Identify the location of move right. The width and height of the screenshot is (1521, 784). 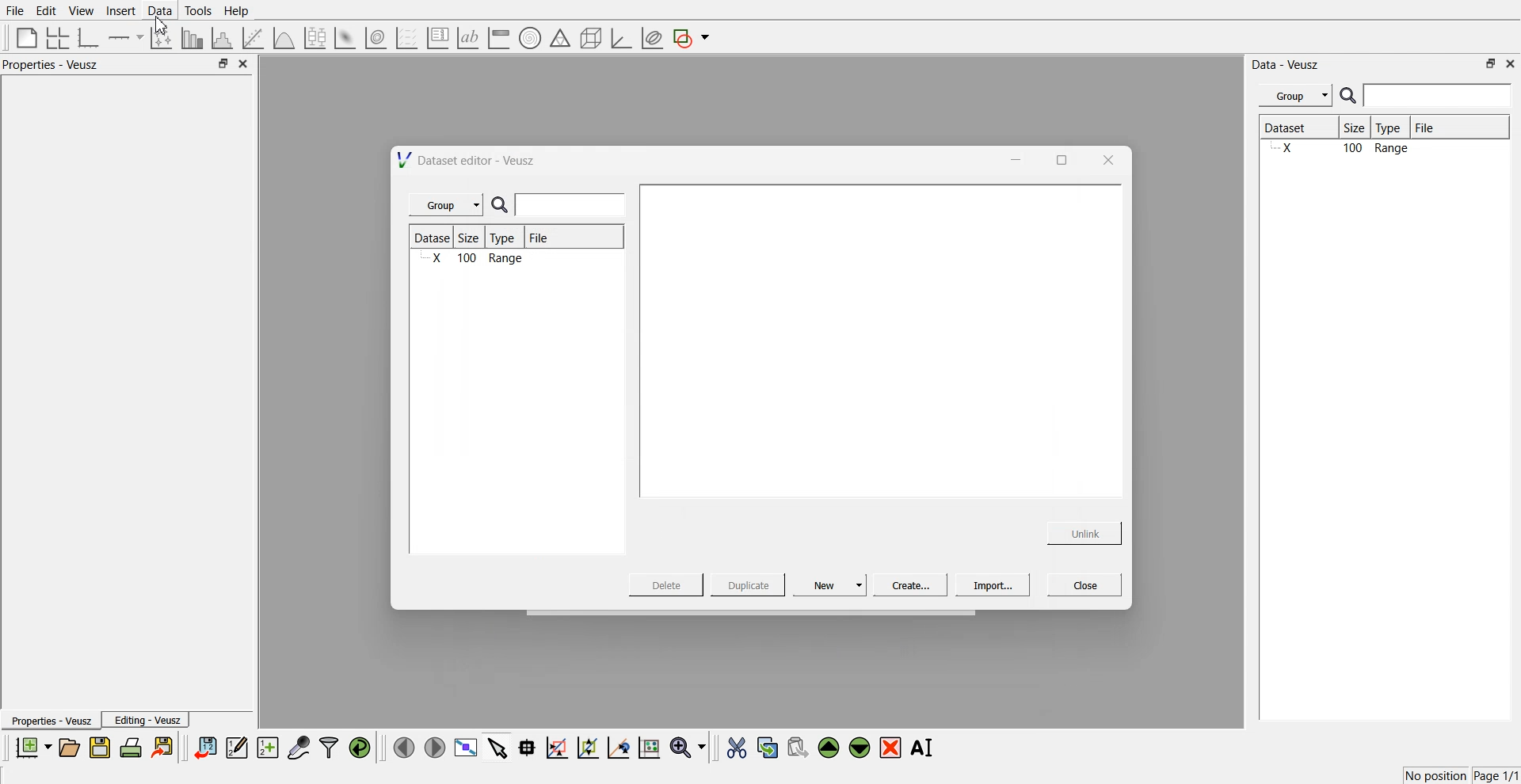
(434, 746).